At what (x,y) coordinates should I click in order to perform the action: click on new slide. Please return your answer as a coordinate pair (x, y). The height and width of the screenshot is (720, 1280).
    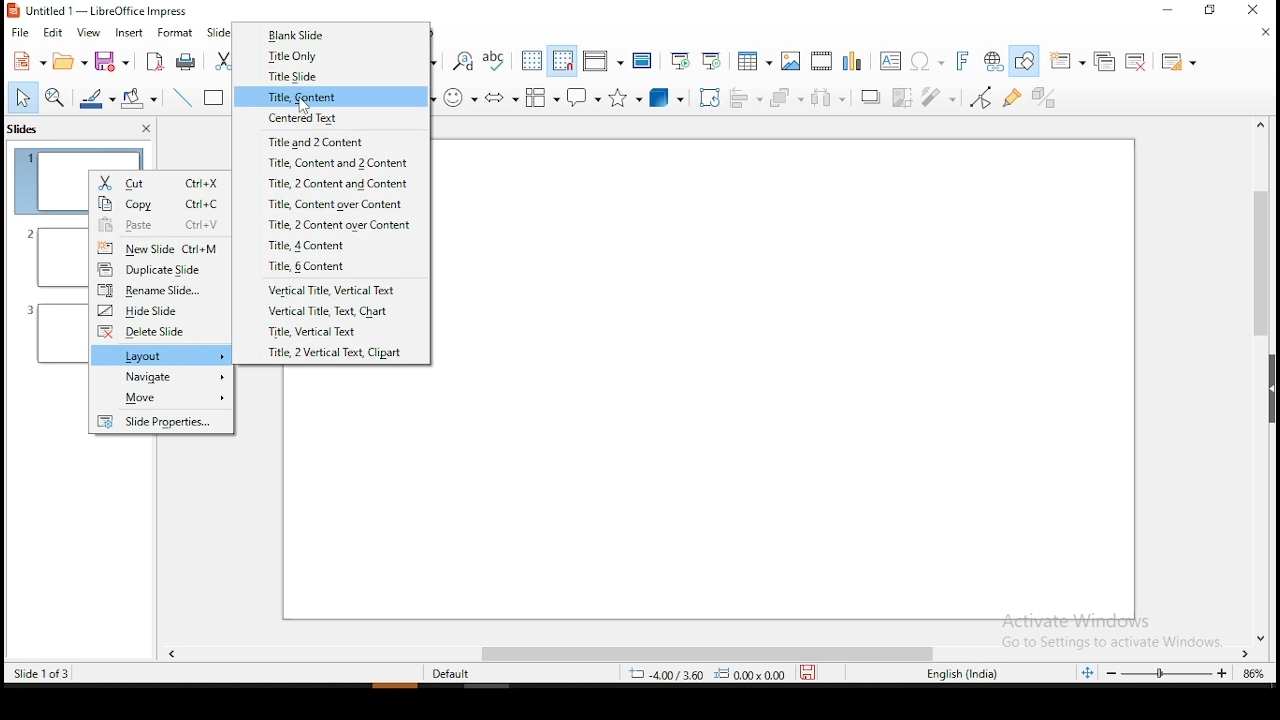
    Looking at the image, I should click on (162, 248).